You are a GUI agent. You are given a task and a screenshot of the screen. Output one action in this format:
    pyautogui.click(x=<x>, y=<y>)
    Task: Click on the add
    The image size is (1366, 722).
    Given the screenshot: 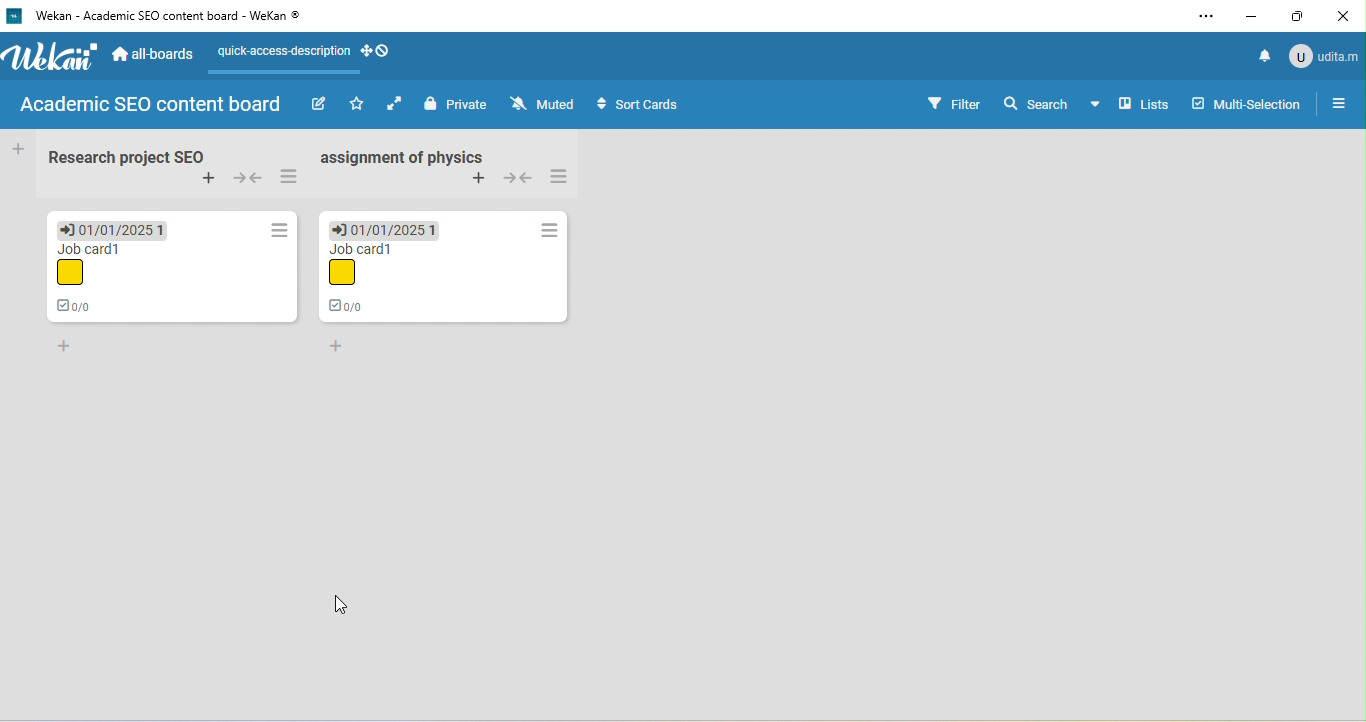 What is the action you would take?
    pyautogui.click(x=18, y=147)
    